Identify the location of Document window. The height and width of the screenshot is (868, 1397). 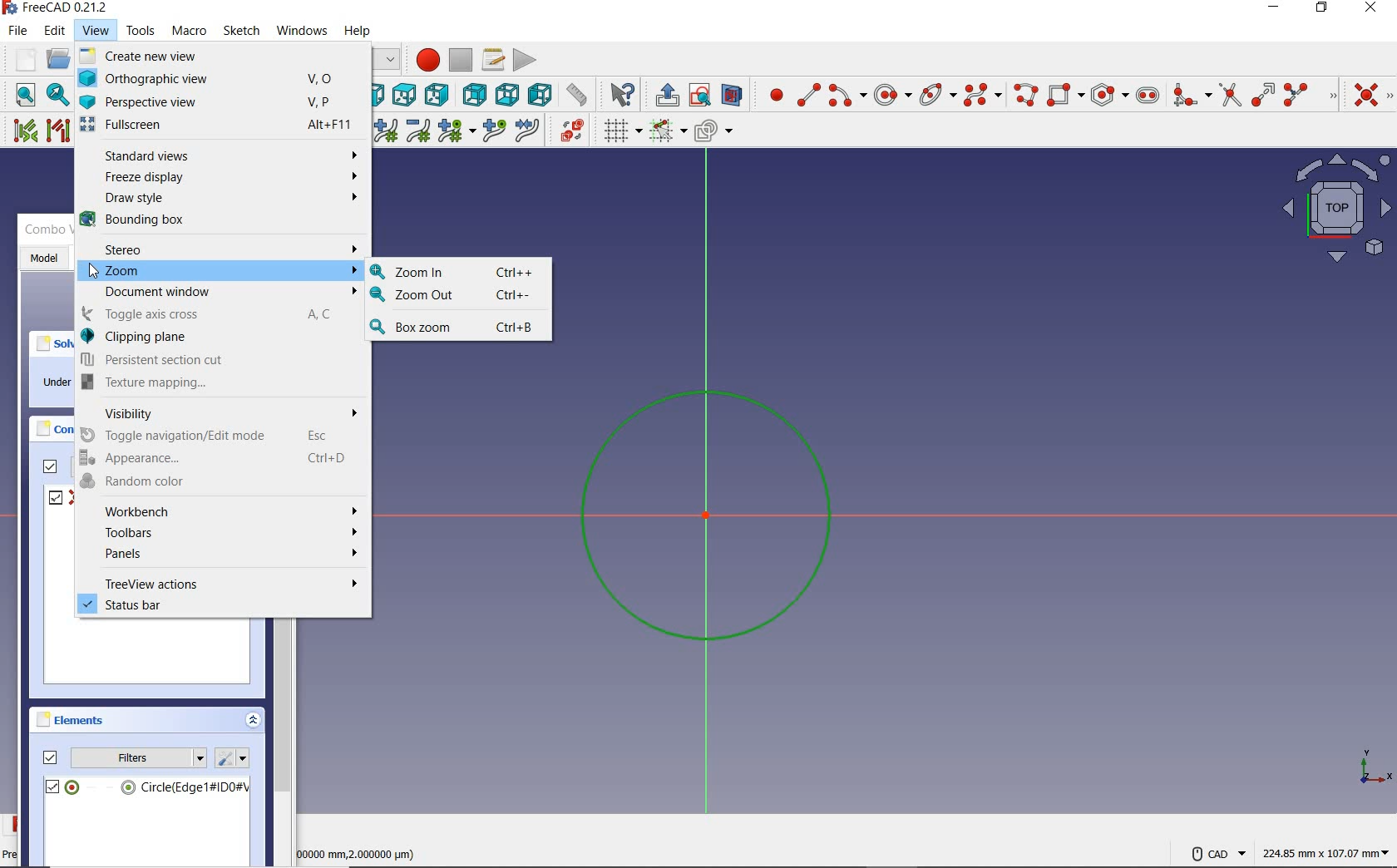
(230, 294).